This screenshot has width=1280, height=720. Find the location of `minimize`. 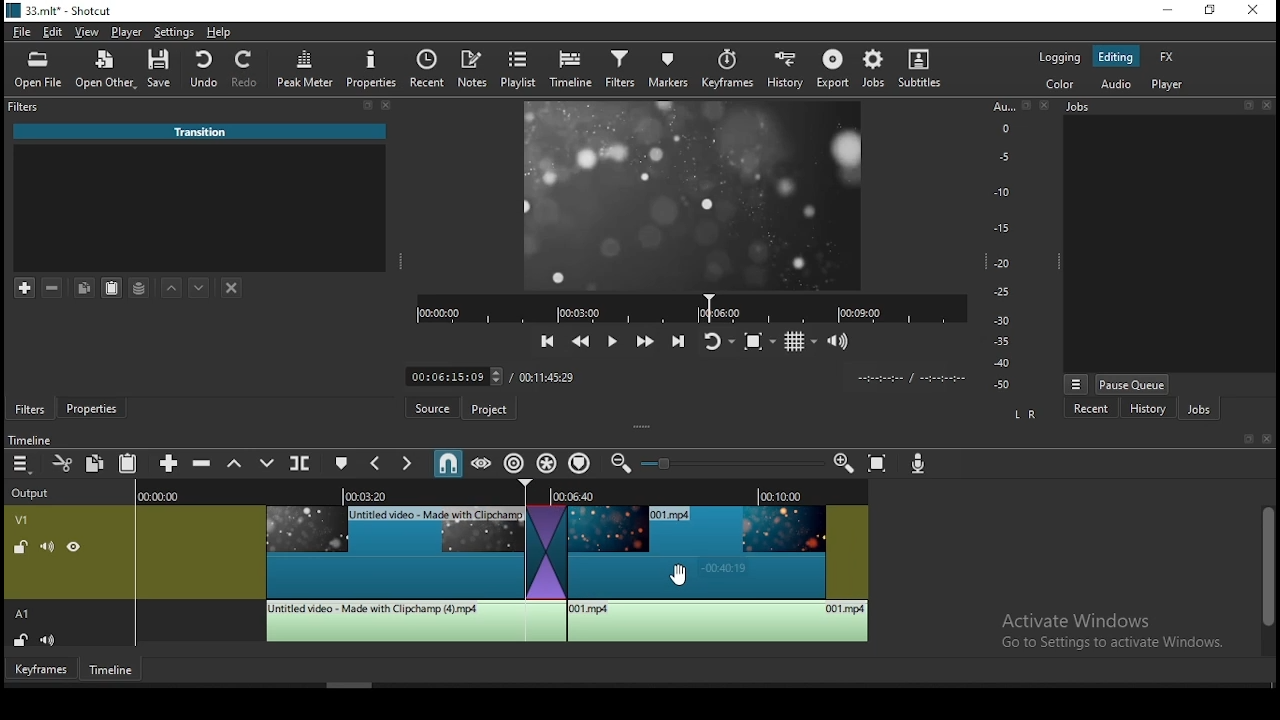

minimize is located at coordinates (1167, 10).